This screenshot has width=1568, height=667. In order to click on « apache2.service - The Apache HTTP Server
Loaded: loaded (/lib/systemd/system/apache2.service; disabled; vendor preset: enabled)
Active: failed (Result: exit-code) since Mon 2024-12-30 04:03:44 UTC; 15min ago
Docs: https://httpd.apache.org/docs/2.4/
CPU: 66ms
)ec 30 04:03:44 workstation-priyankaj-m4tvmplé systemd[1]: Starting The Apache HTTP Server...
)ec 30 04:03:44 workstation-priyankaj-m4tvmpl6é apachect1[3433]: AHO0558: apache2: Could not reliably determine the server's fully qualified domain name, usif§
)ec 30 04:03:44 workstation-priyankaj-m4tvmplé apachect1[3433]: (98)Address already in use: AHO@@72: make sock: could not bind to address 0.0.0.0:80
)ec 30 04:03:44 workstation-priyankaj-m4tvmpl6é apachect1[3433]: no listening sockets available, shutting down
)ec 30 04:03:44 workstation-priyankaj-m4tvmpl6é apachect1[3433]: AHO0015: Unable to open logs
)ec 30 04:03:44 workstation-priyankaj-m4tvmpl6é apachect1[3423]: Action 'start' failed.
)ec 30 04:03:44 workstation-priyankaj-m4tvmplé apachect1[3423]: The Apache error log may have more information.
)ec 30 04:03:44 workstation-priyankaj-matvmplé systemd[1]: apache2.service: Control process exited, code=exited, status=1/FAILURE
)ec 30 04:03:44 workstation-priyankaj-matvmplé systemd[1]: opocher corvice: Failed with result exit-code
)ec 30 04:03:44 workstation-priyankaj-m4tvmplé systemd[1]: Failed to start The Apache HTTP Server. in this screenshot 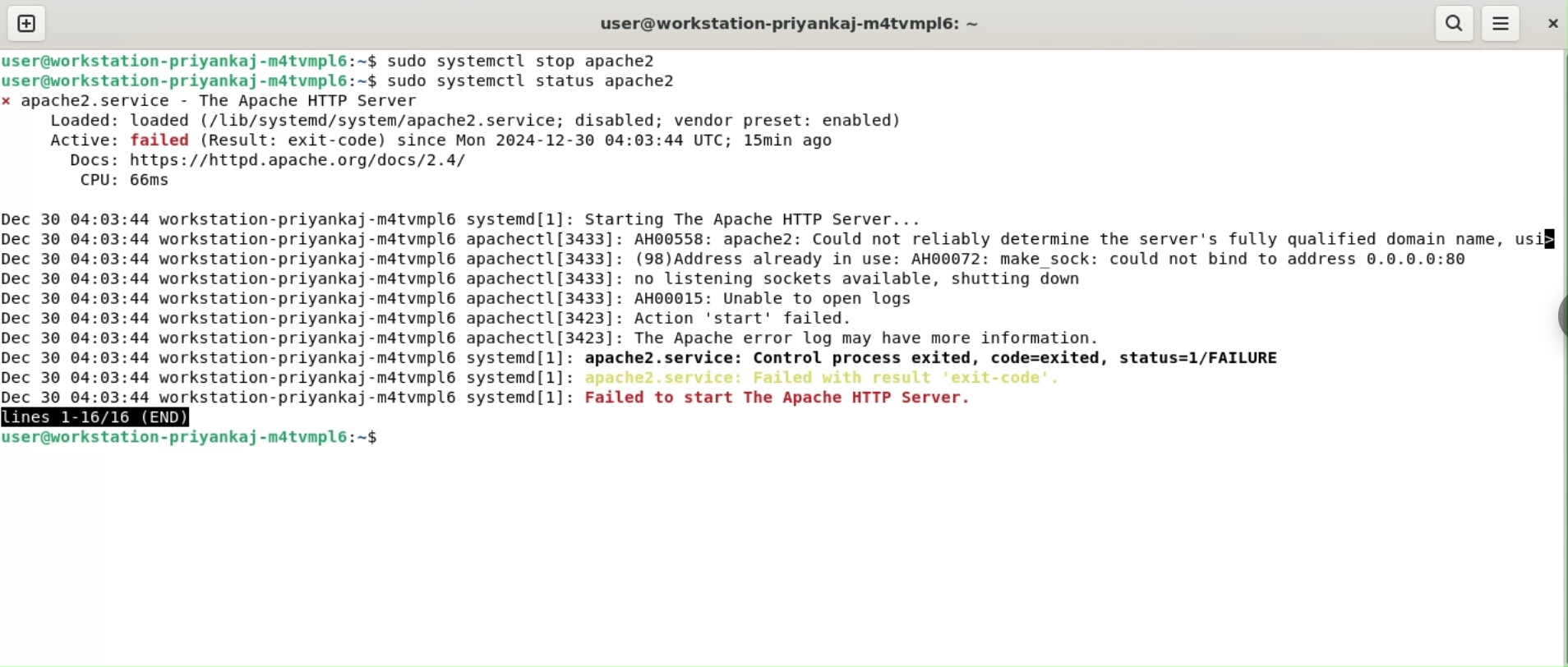, I will do `click(779, 249)`.